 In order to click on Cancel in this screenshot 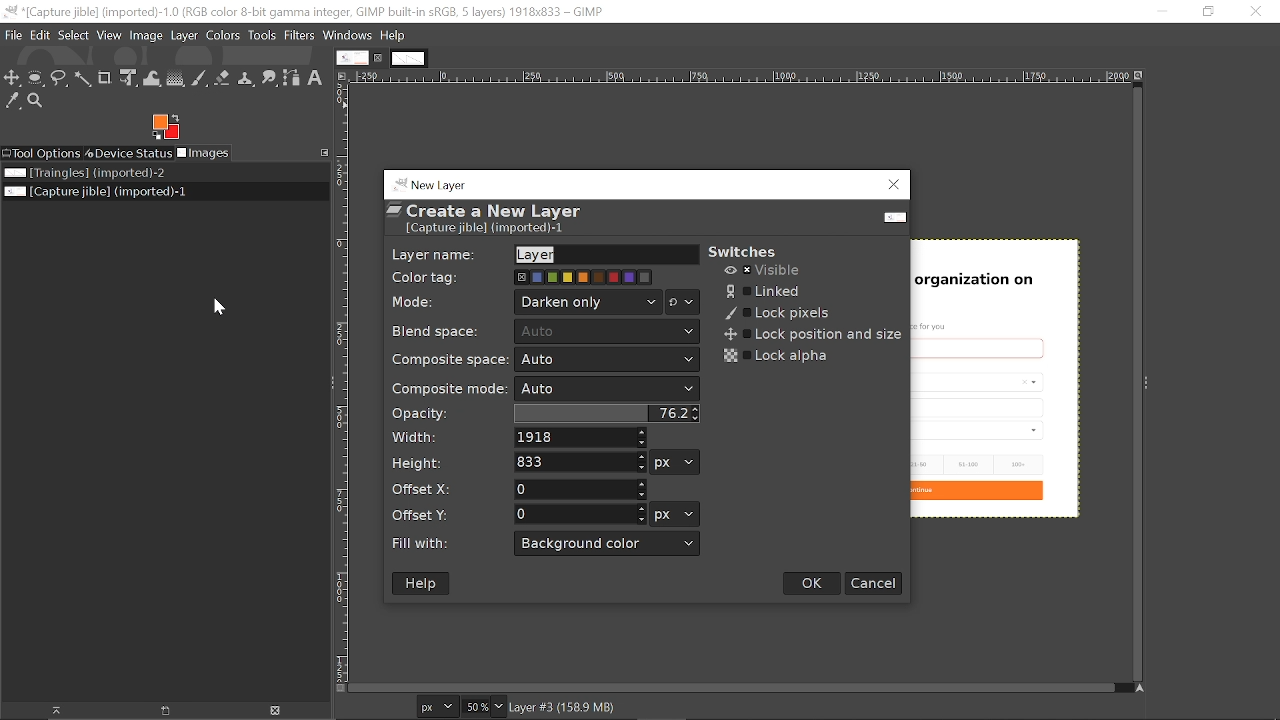, I will do `click(874, 582)`.